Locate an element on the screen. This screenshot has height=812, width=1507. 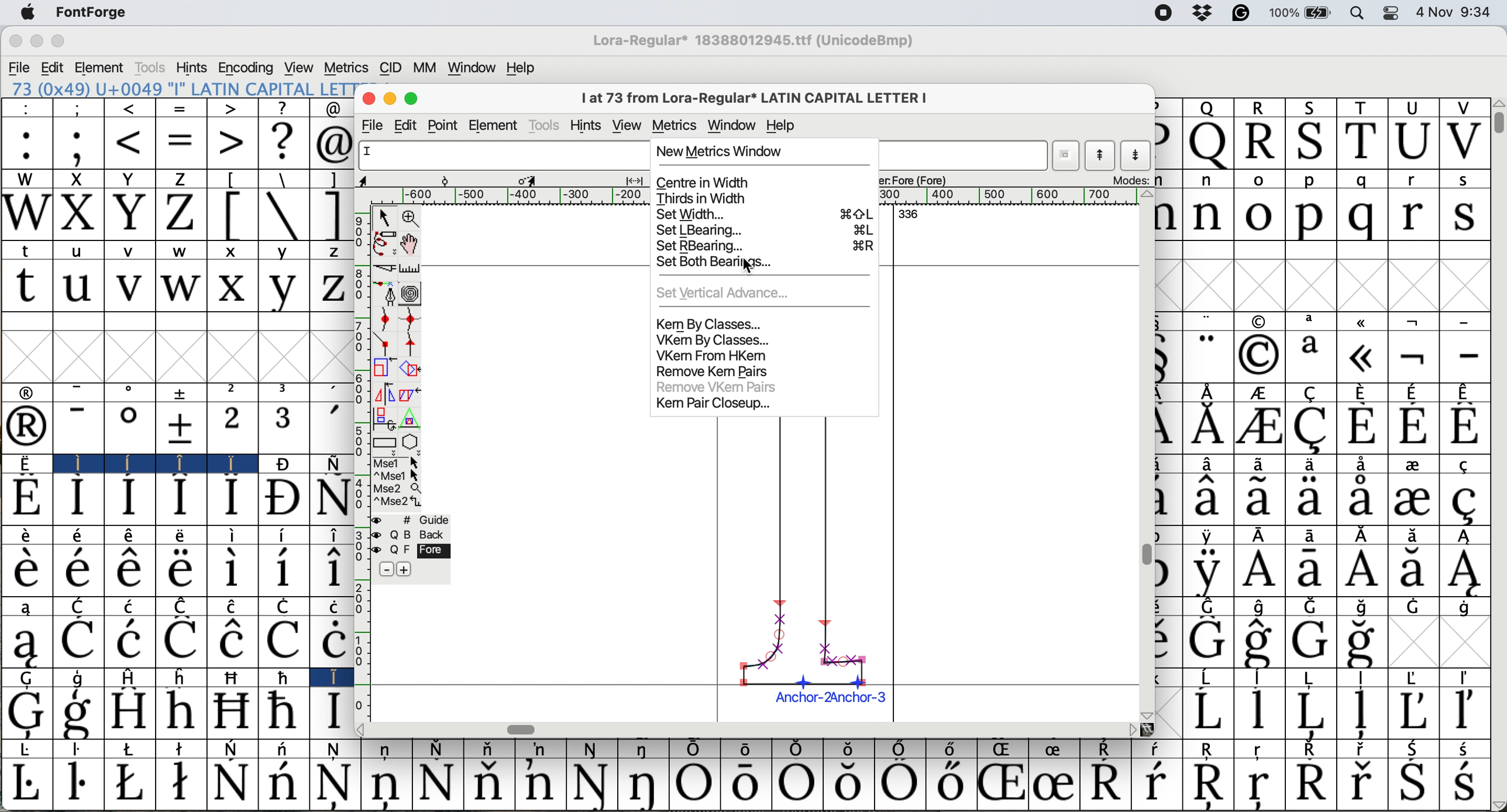
Symbol is located at coordinates (1465, 426).